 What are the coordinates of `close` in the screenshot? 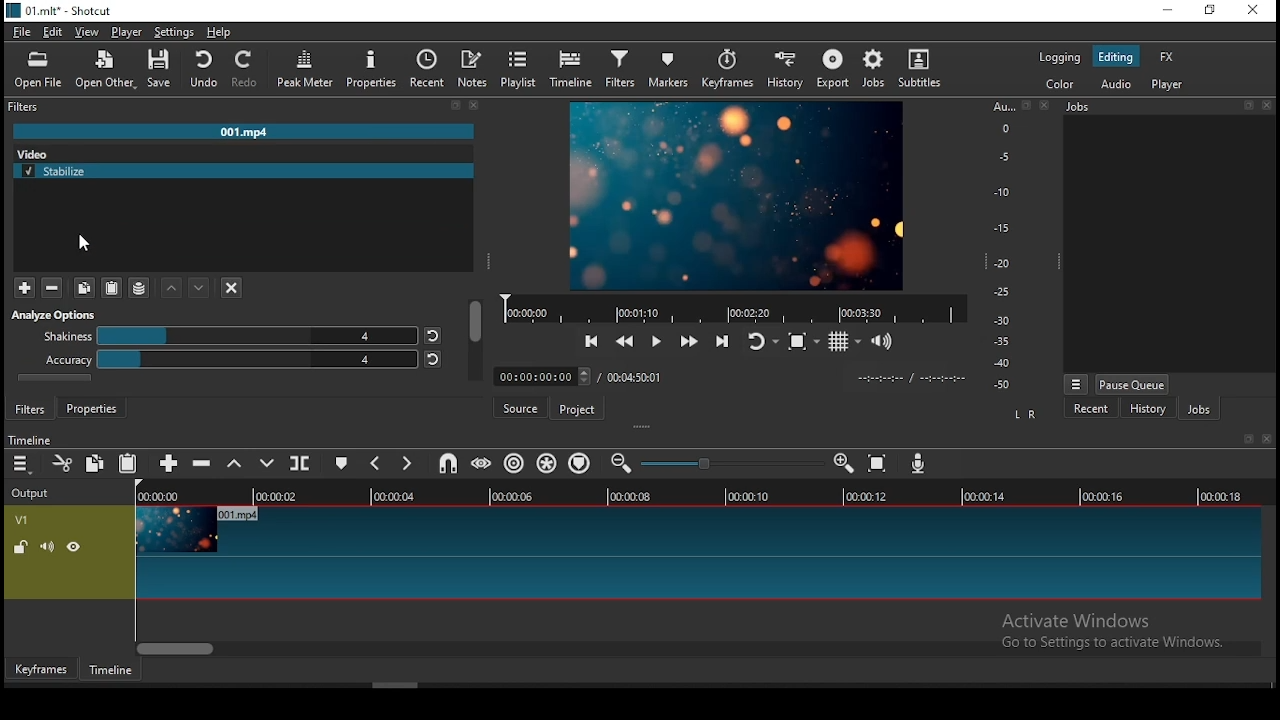 It's located at (234, 288).